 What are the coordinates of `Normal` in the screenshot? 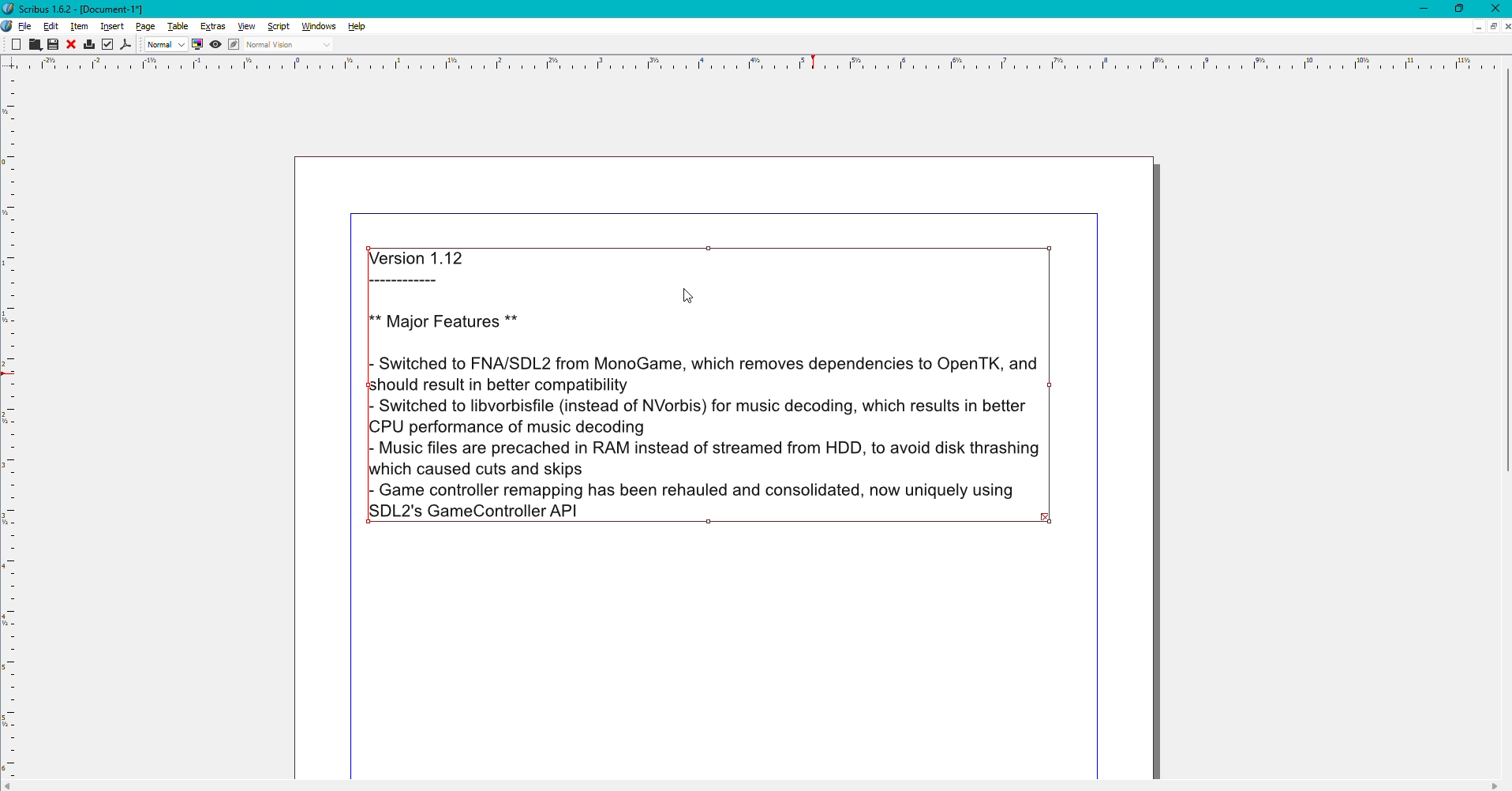 It's located at (164, 45).